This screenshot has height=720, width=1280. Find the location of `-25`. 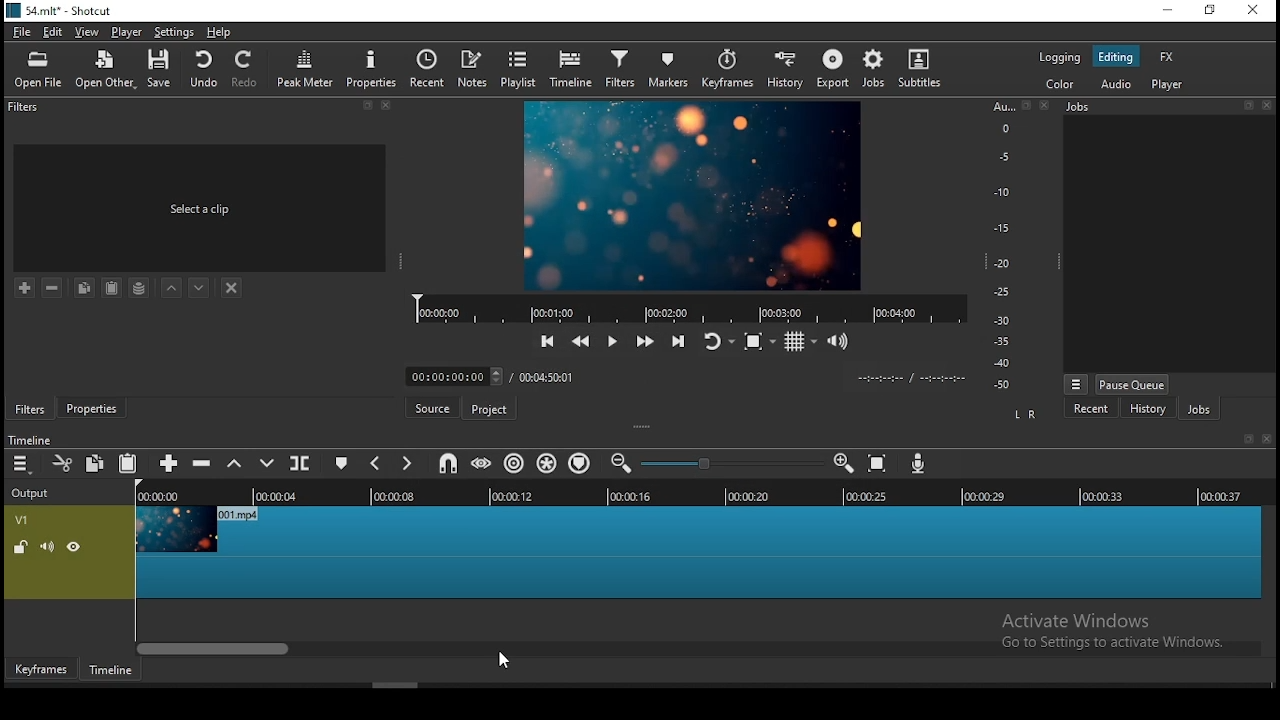

-25 is located at coordinates (1002, 293).